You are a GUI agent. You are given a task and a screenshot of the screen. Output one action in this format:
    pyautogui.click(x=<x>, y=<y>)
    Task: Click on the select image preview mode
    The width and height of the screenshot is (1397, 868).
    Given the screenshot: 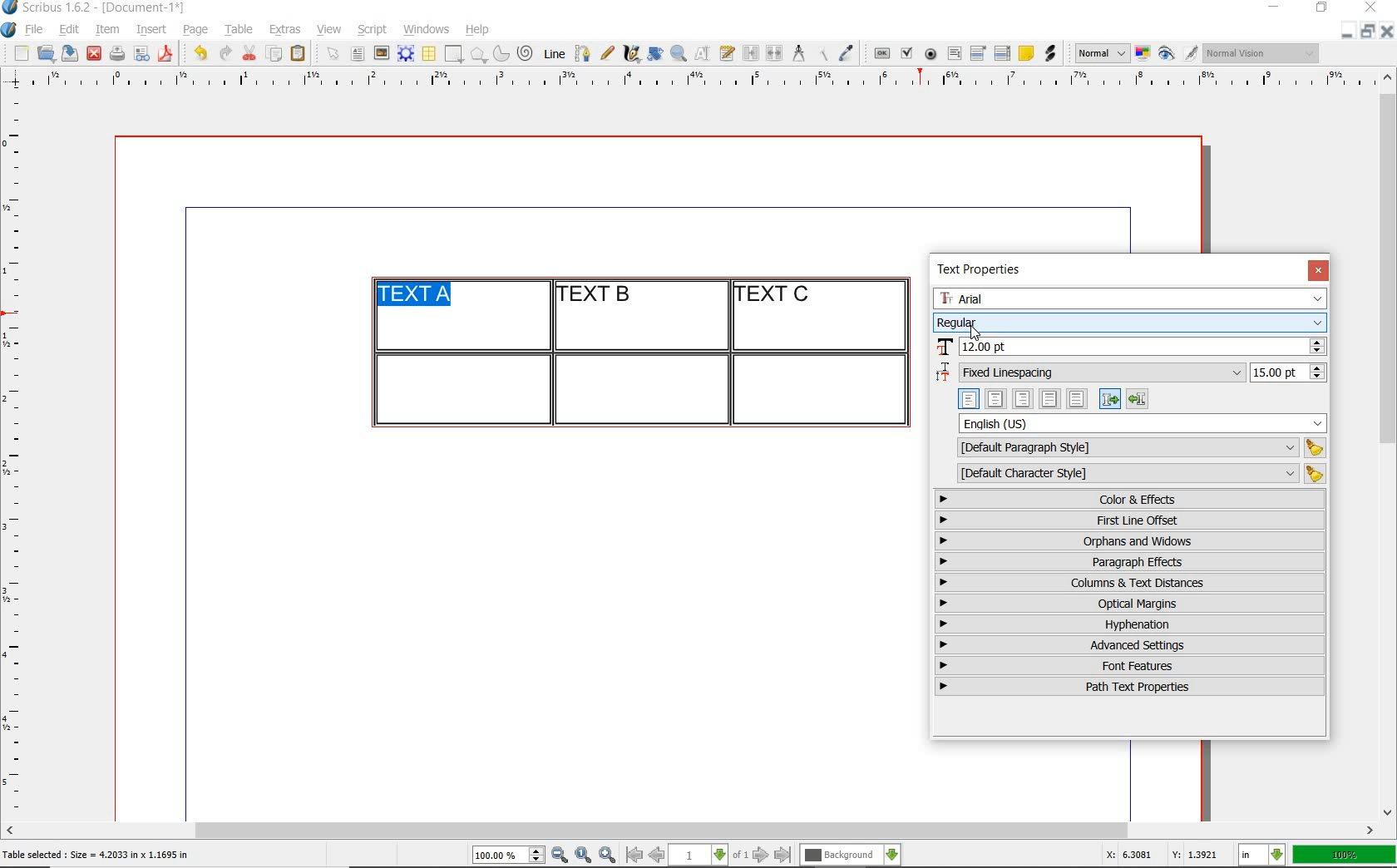 What is the action you would take?
    pyautogui.click(x=1101, y=54)
    